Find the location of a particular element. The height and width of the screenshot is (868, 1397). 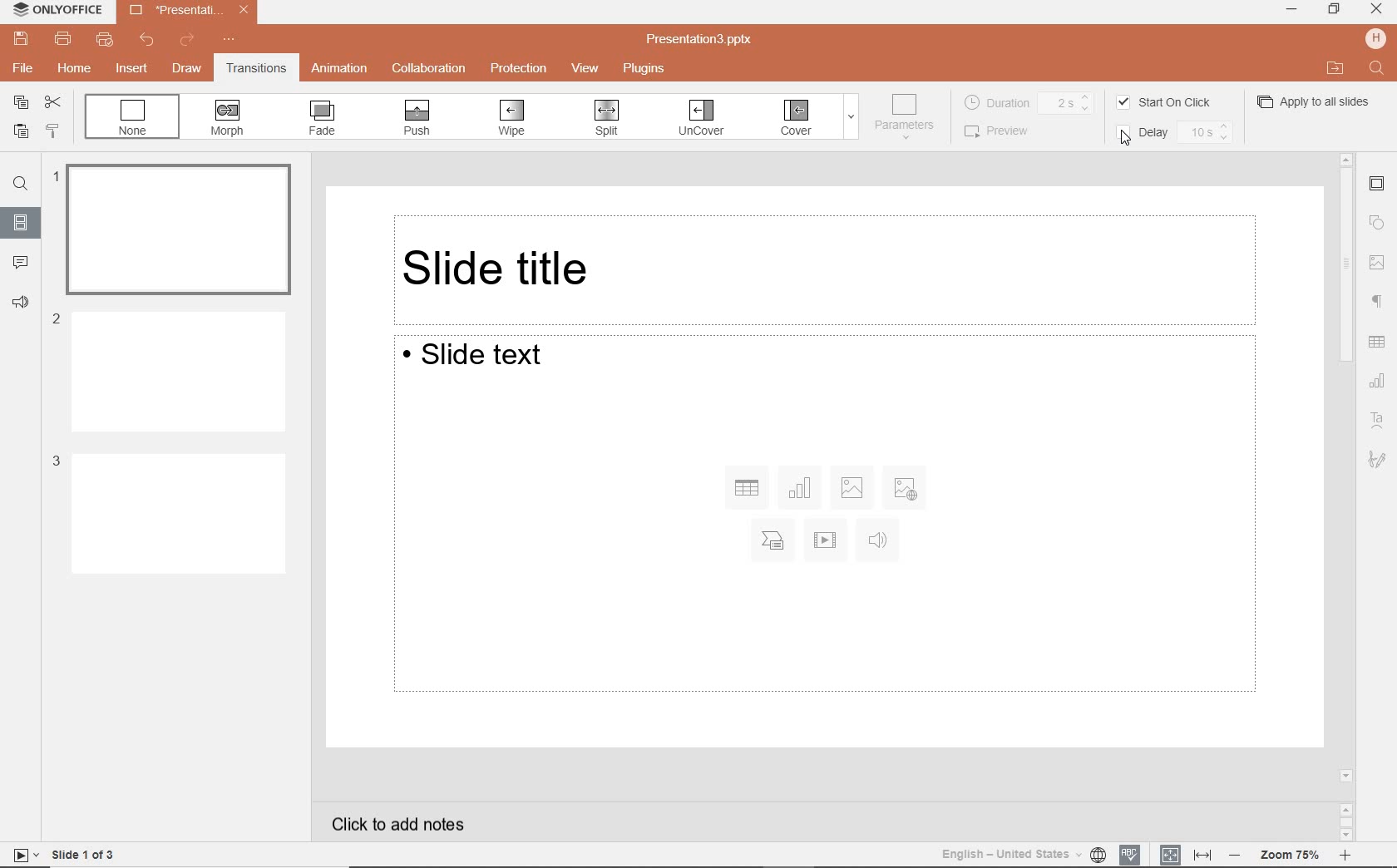

Presentation3.pptx is located at coordinates (186, 9).